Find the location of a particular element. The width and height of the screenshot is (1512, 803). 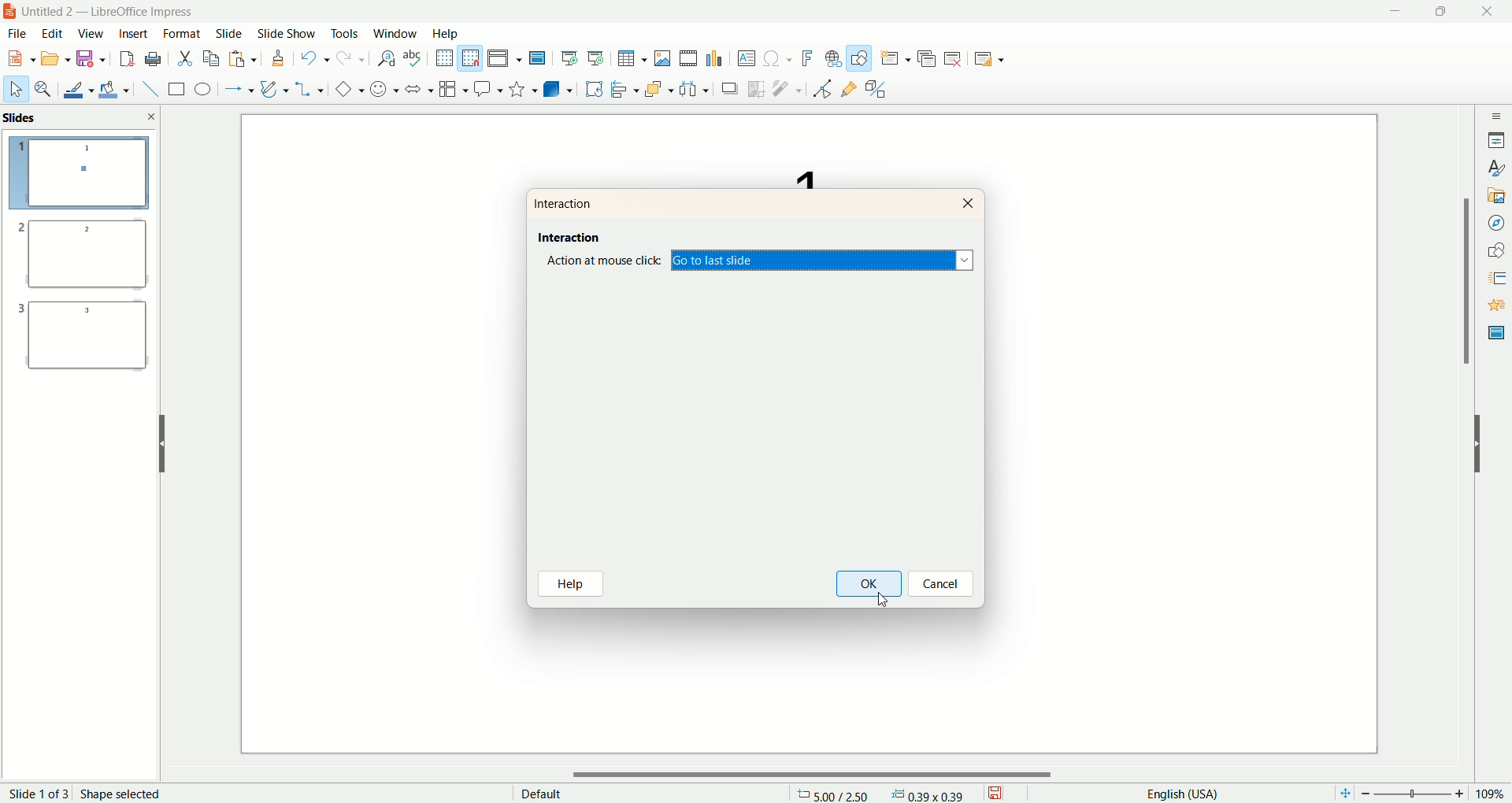

edit is located at coordinates (54, 34).